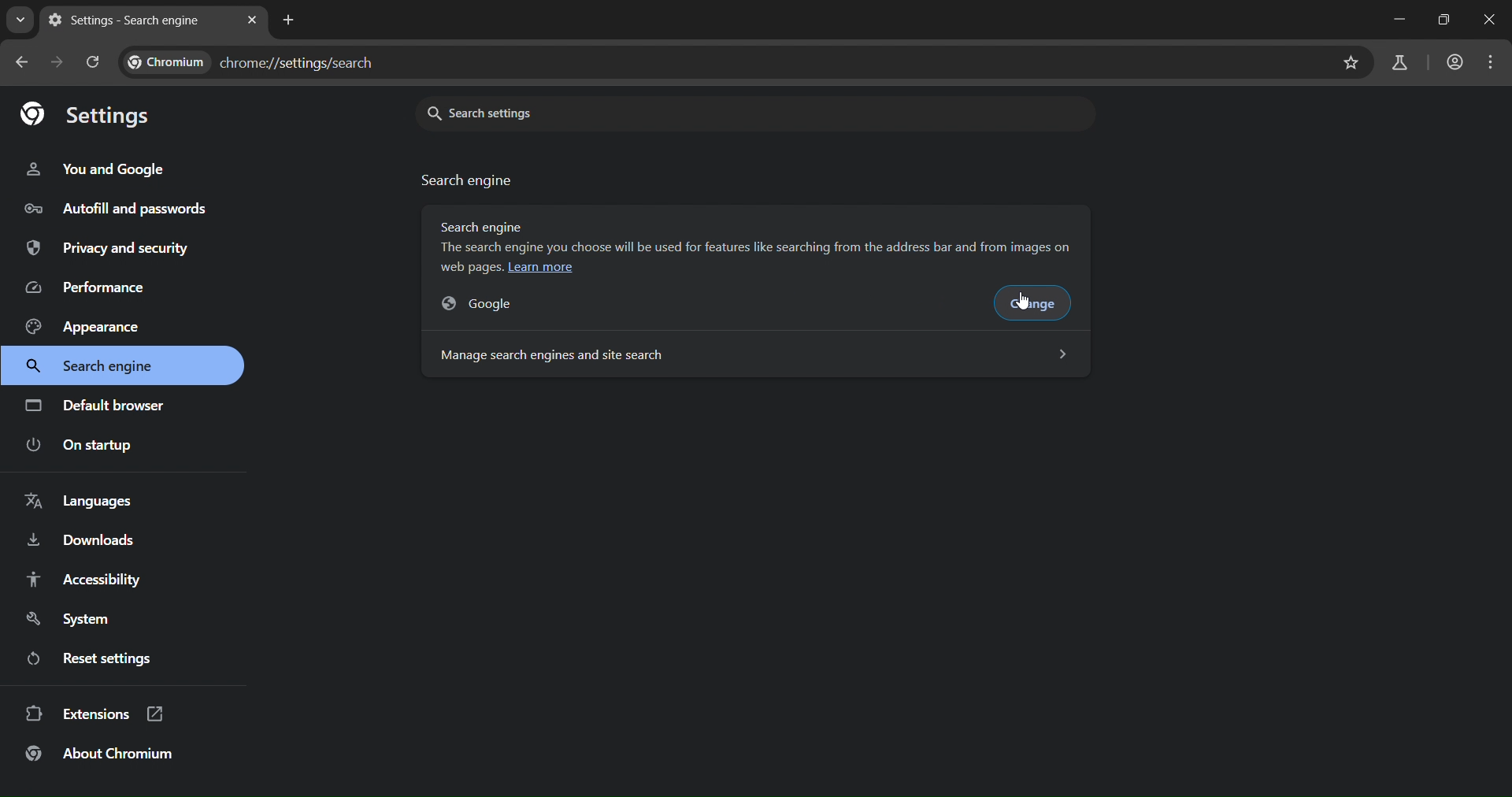  I want to click on settings - search engine, so click(128, 20).